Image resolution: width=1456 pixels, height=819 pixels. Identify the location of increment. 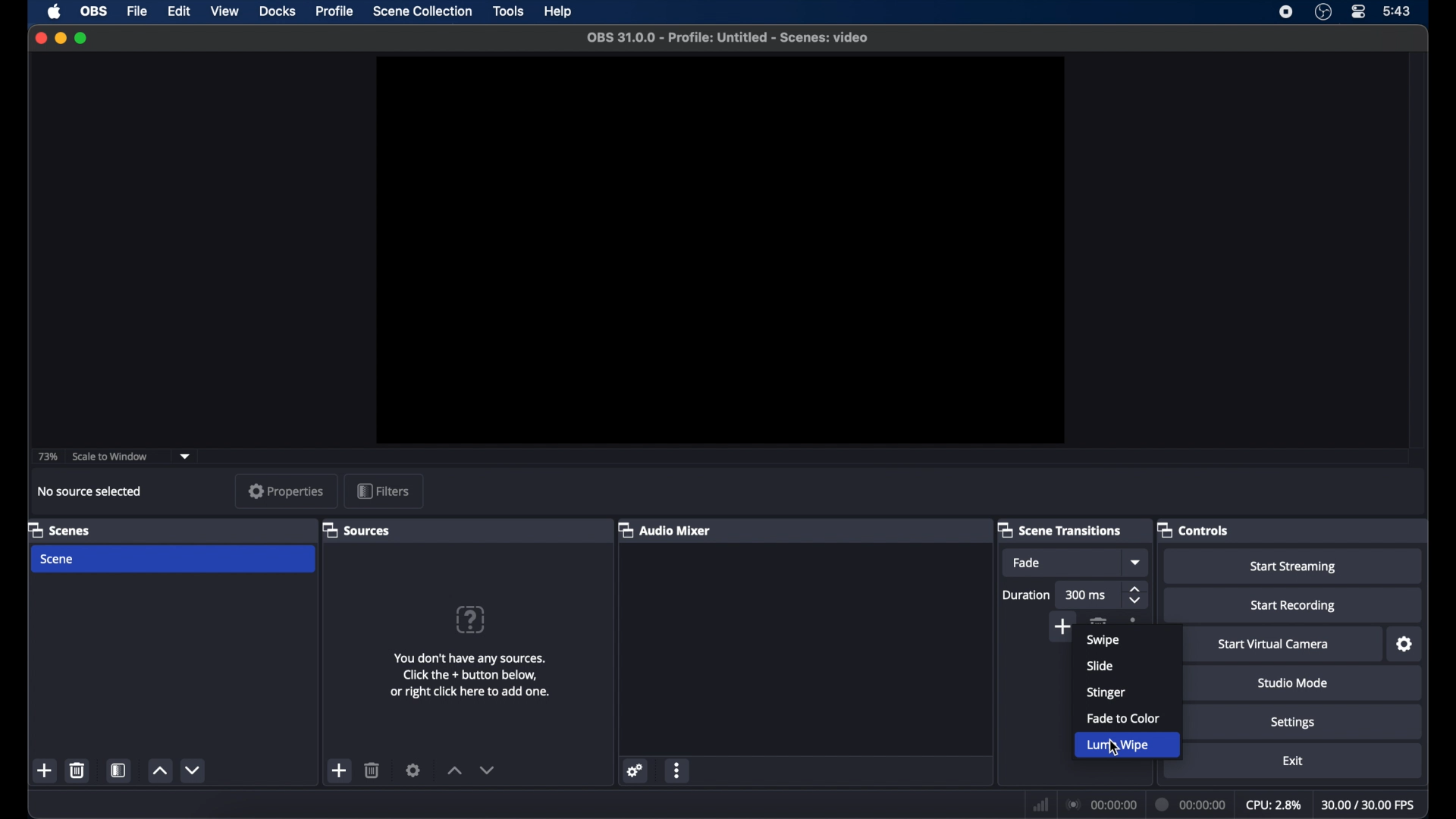
(455, 770).